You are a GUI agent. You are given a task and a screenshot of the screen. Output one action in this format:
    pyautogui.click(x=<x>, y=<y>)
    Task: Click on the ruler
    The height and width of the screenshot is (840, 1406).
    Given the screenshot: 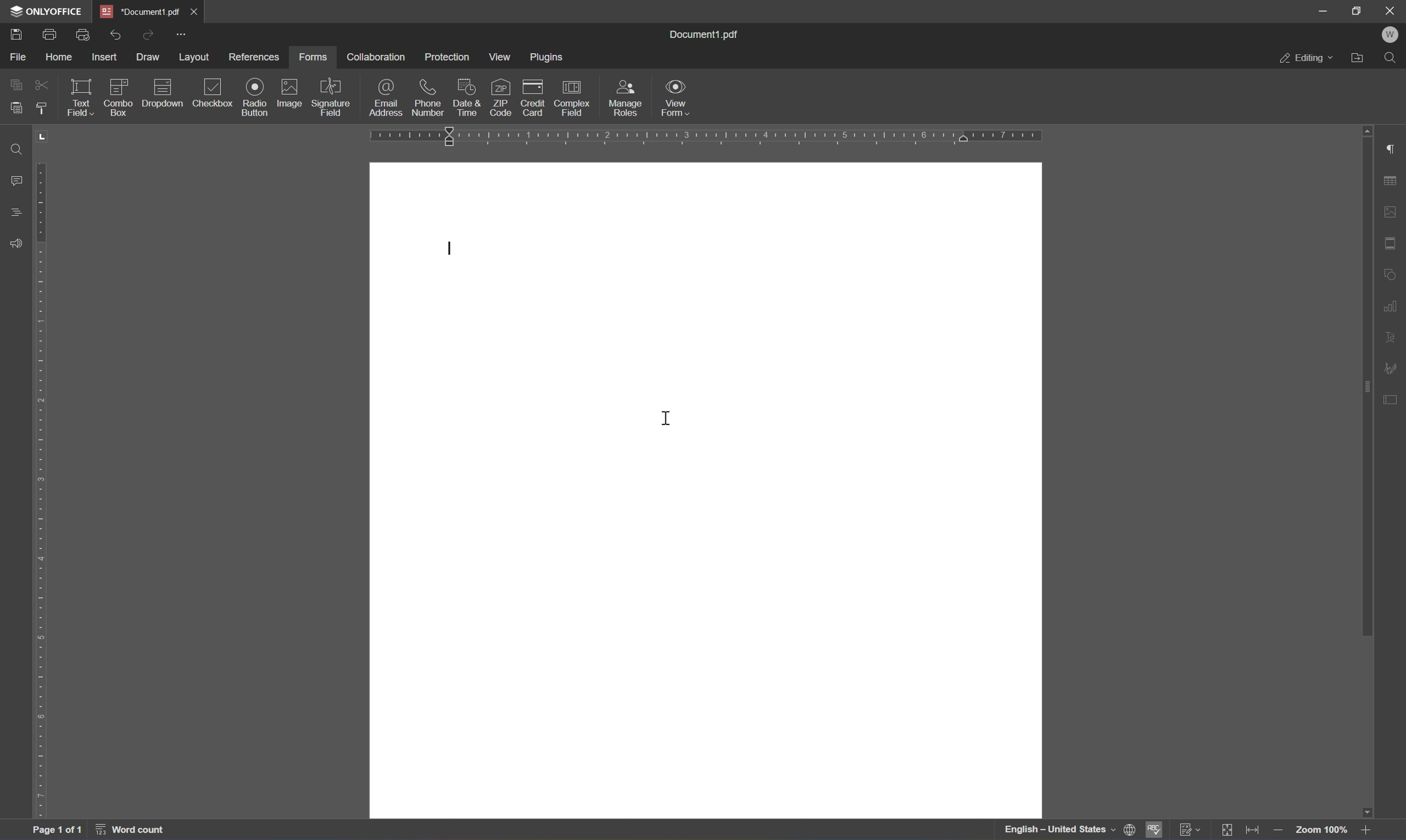 What is the action you would take?
    pyautogui.click(x=46, y=488)
    